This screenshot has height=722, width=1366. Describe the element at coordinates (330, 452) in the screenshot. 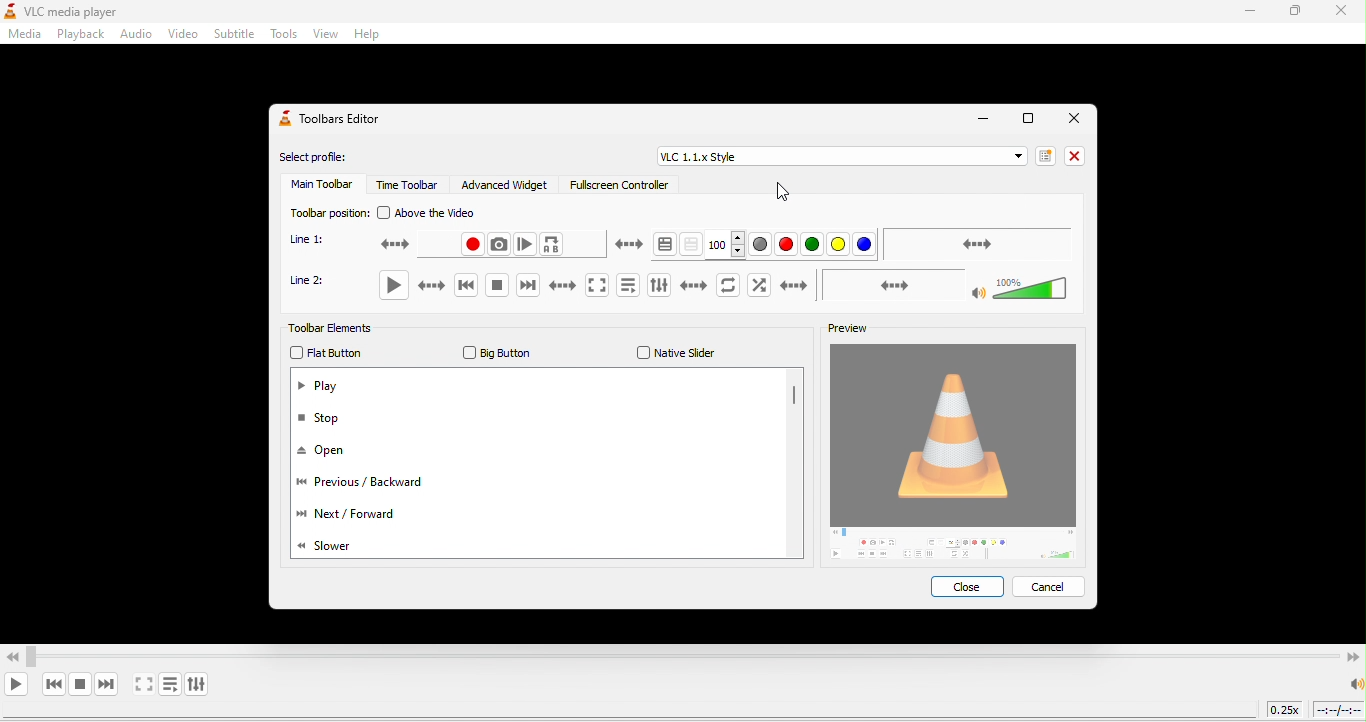

I see `open` at that location.